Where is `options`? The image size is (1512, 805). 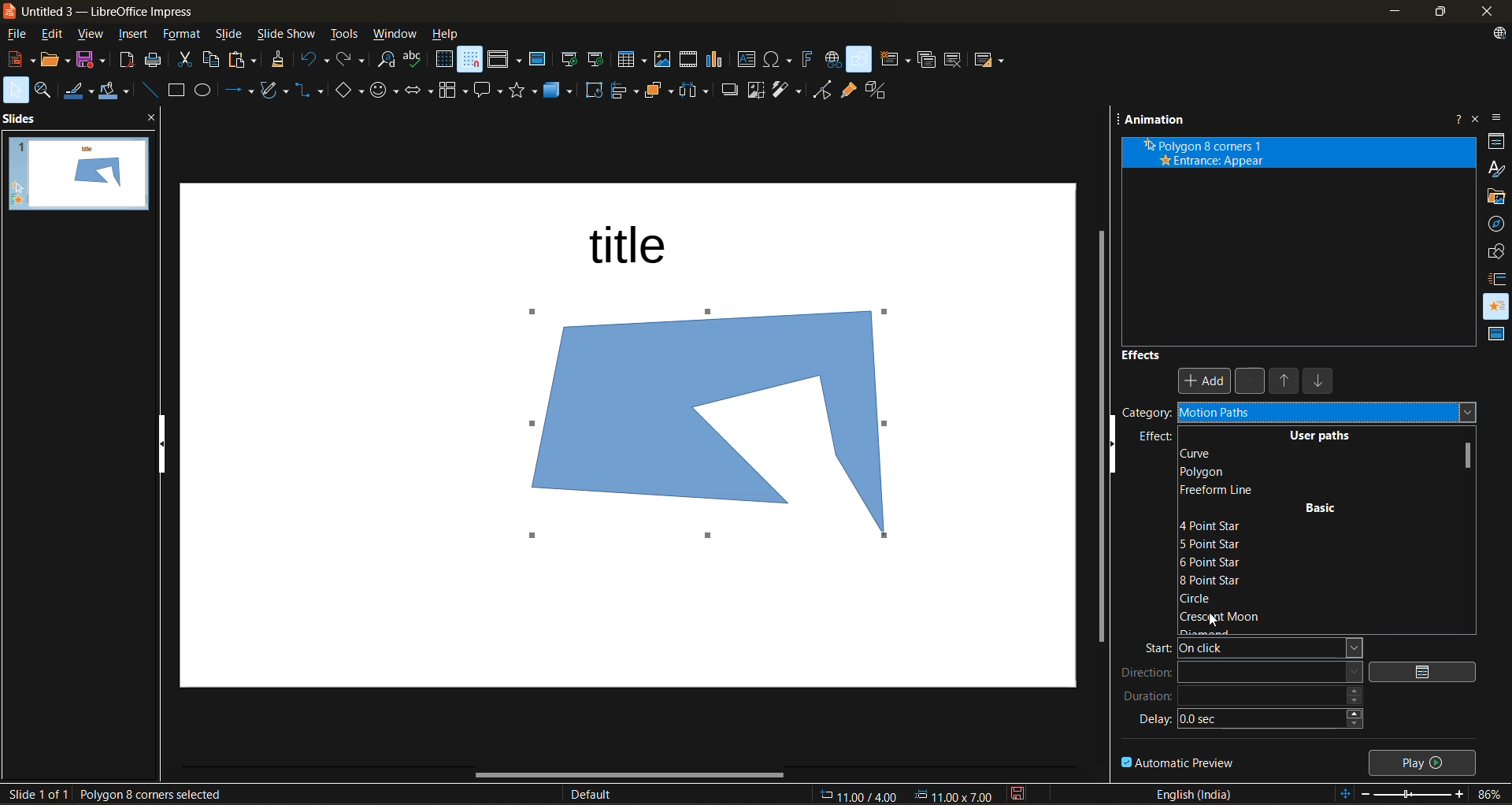
options is located at coordinates (1426, 672).